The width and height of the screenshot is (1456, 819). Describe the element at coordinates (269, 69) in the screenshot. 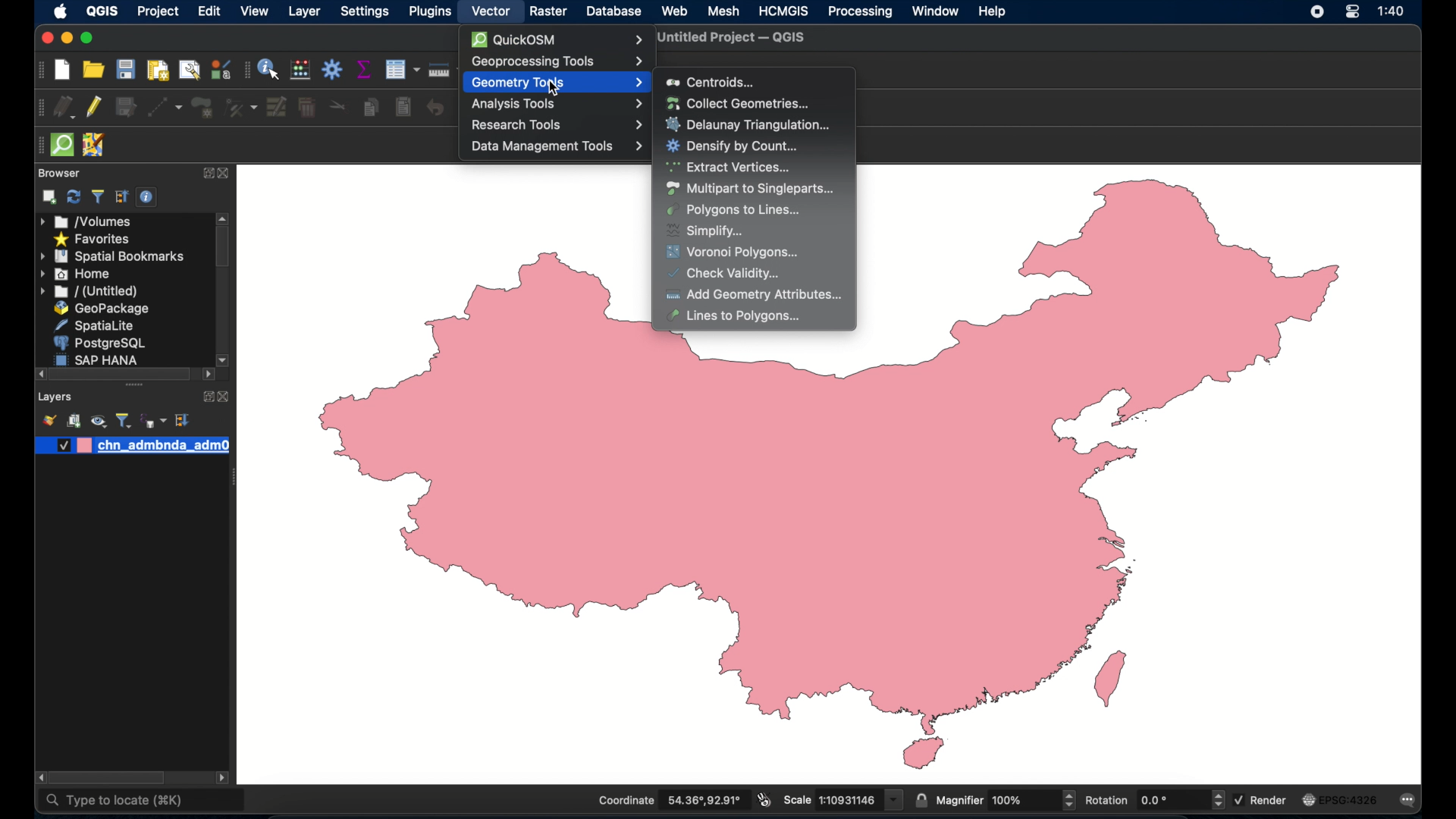

I see `identify features` at that location.